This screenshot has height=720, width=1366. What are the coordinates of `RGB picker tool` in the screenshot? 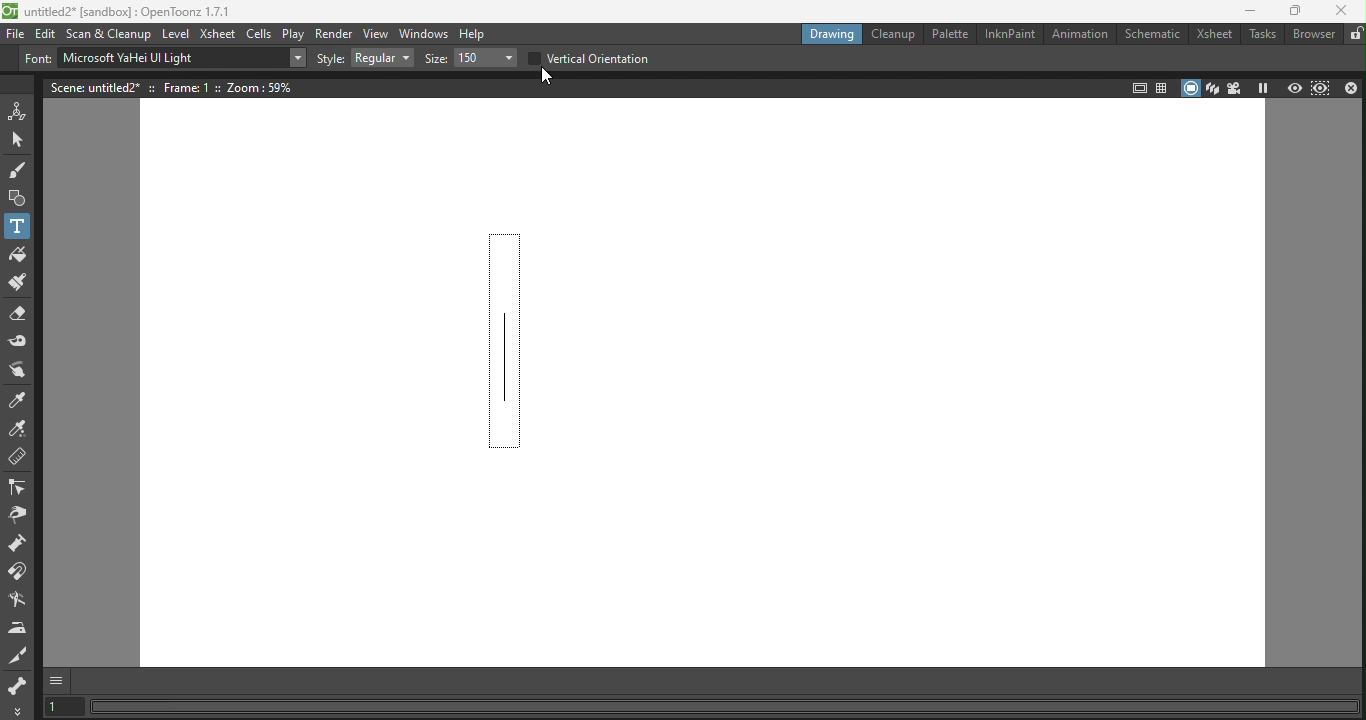 It's located at (18, 425).